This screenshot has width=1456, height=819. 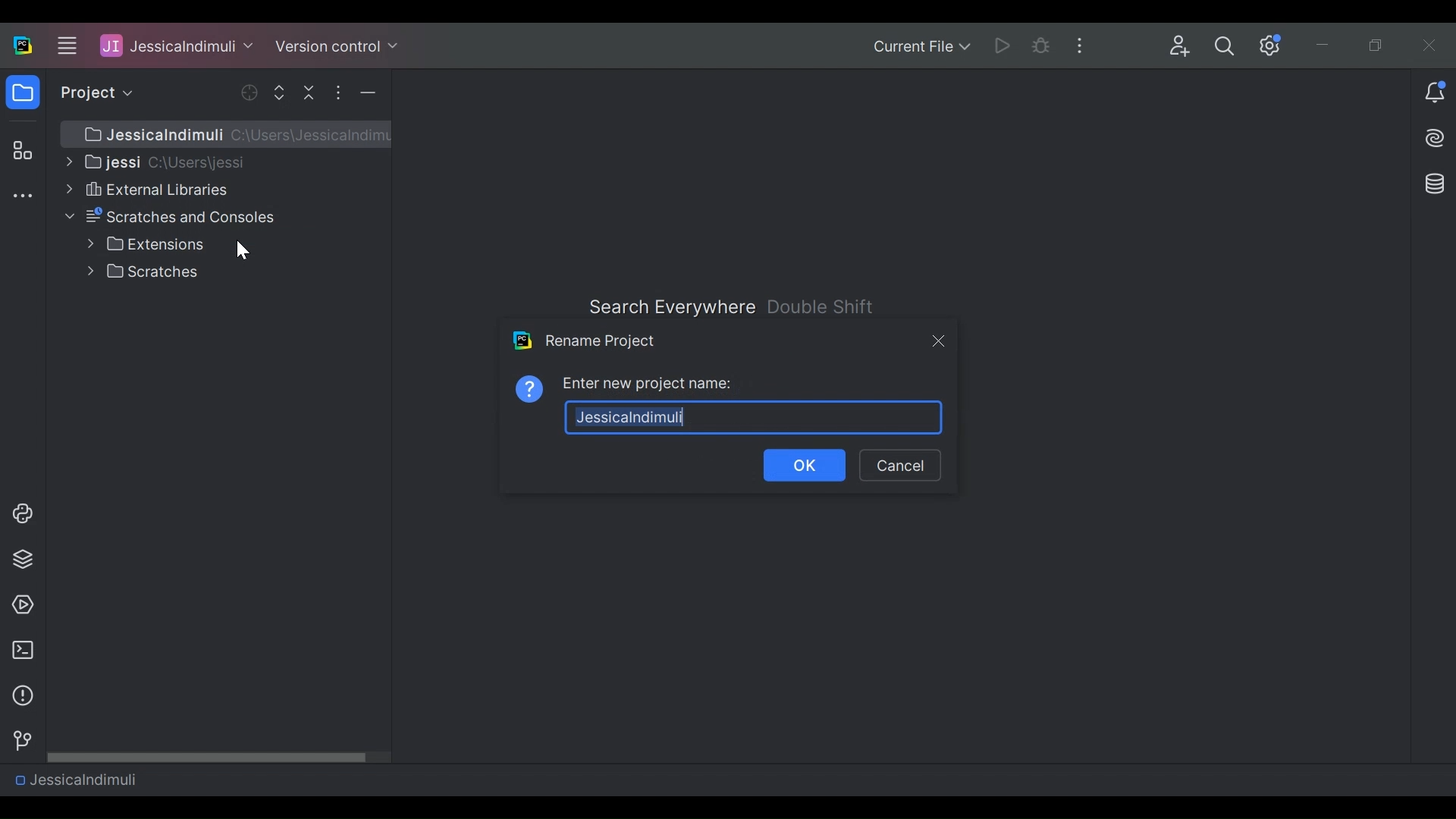 I want to click on python, so click(x=22, y=513).